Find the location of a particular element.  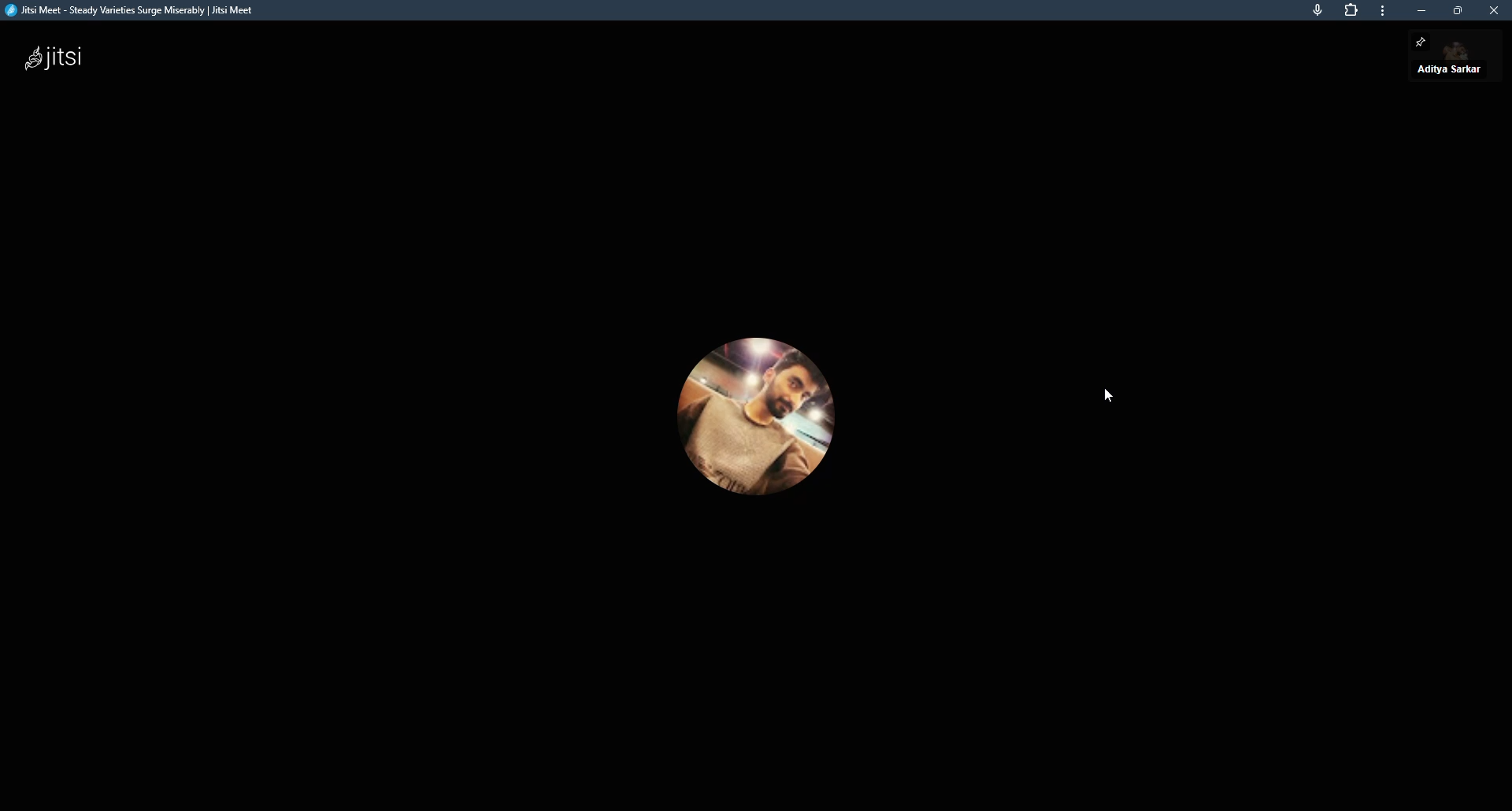

more is located at coordinates (1382, 13).